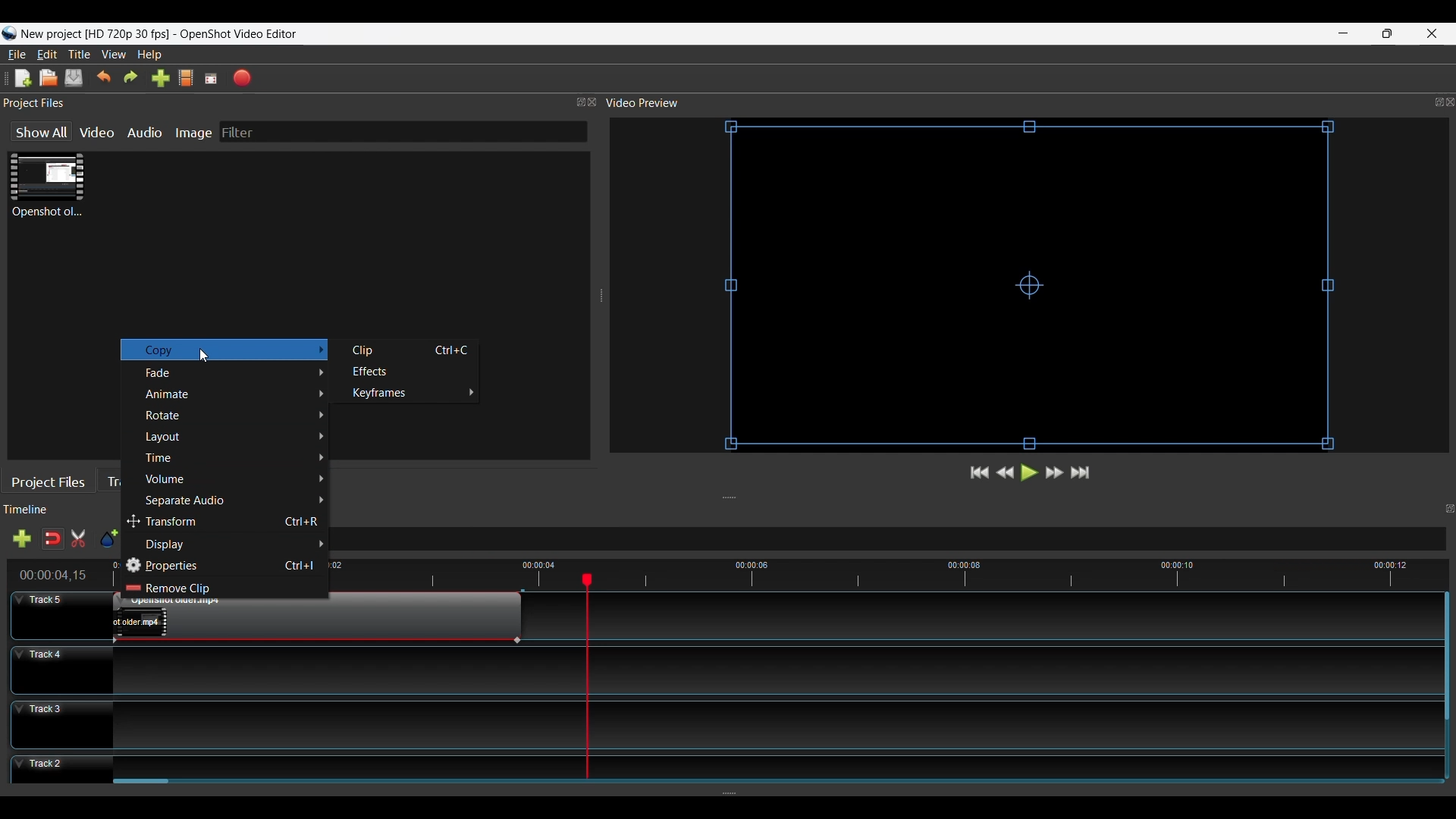 Image resolution: width=1456 pixels, height=819 pixels. Describe the element at coordinates (407, 350) in the screenshot. I see `Clip` at that location.